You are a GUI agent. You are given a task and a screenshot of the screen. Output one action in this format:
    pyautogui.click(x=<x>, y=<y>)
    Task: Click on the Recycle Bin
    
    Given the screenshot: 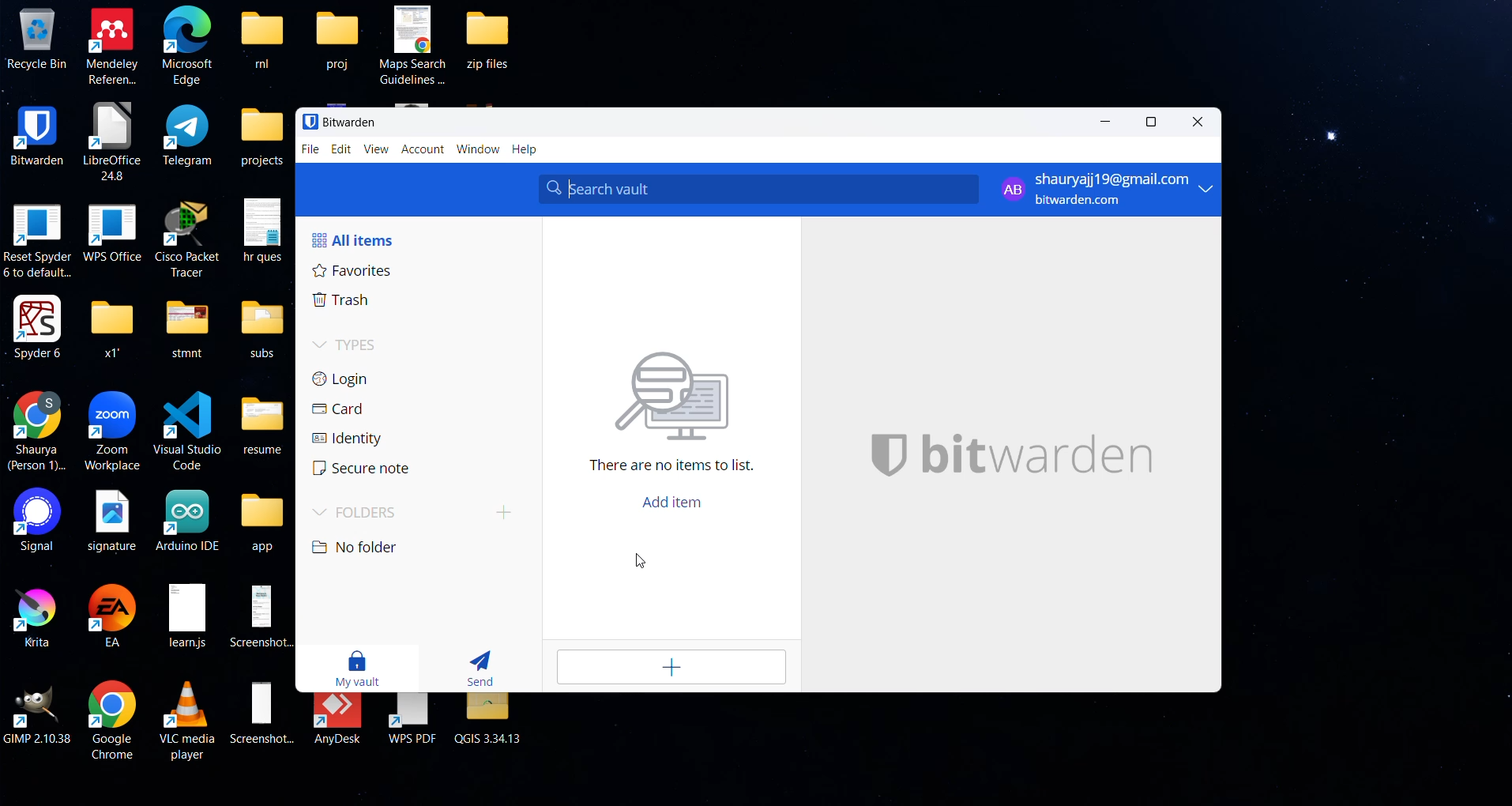 What is the action you would take?
    pyautogui.click(x=36, y=38)
    